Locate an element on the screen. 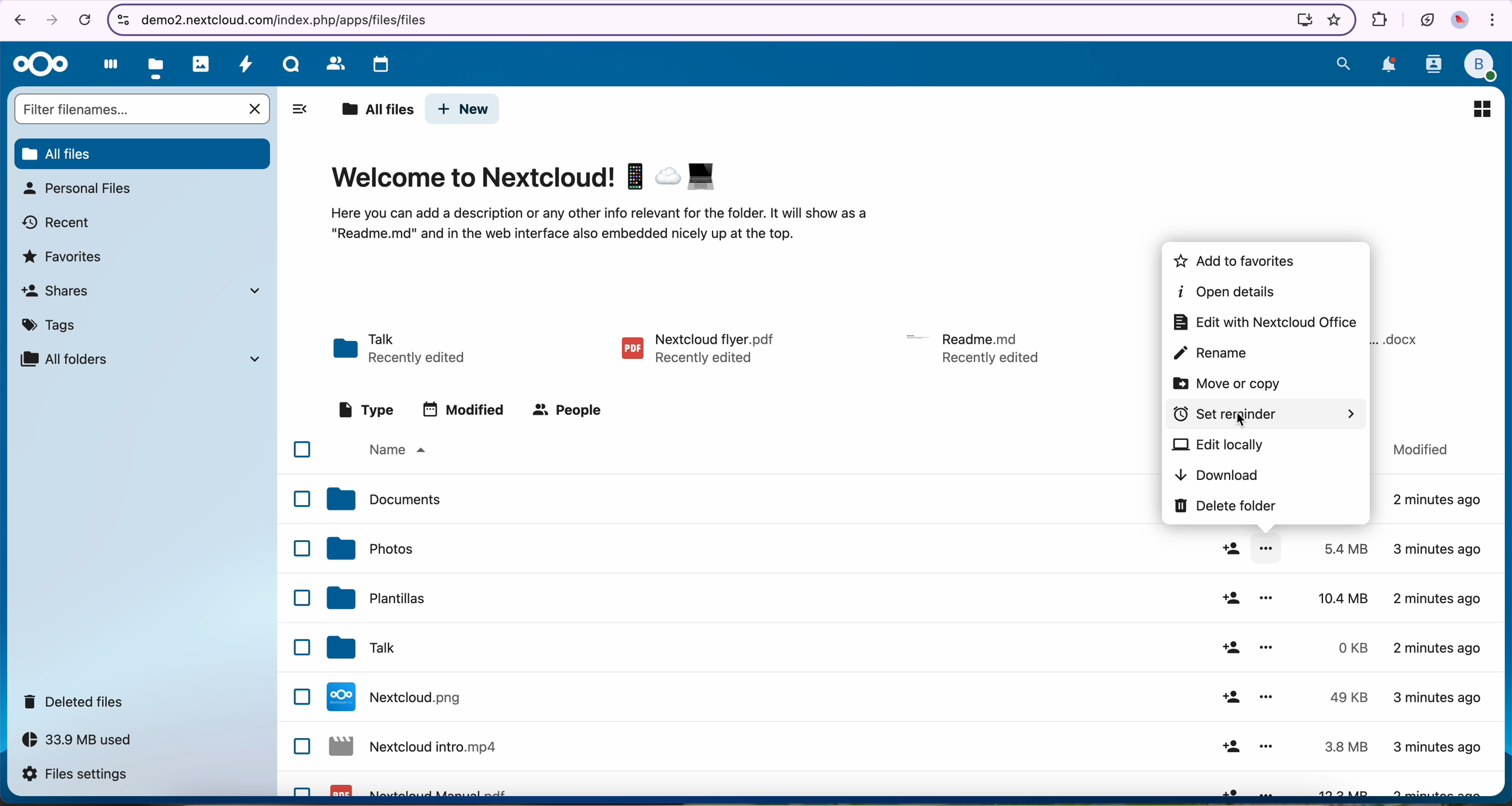 This screenshot has height=806, width=1512. battery in eco mode is located at coordinates (1426, 18).